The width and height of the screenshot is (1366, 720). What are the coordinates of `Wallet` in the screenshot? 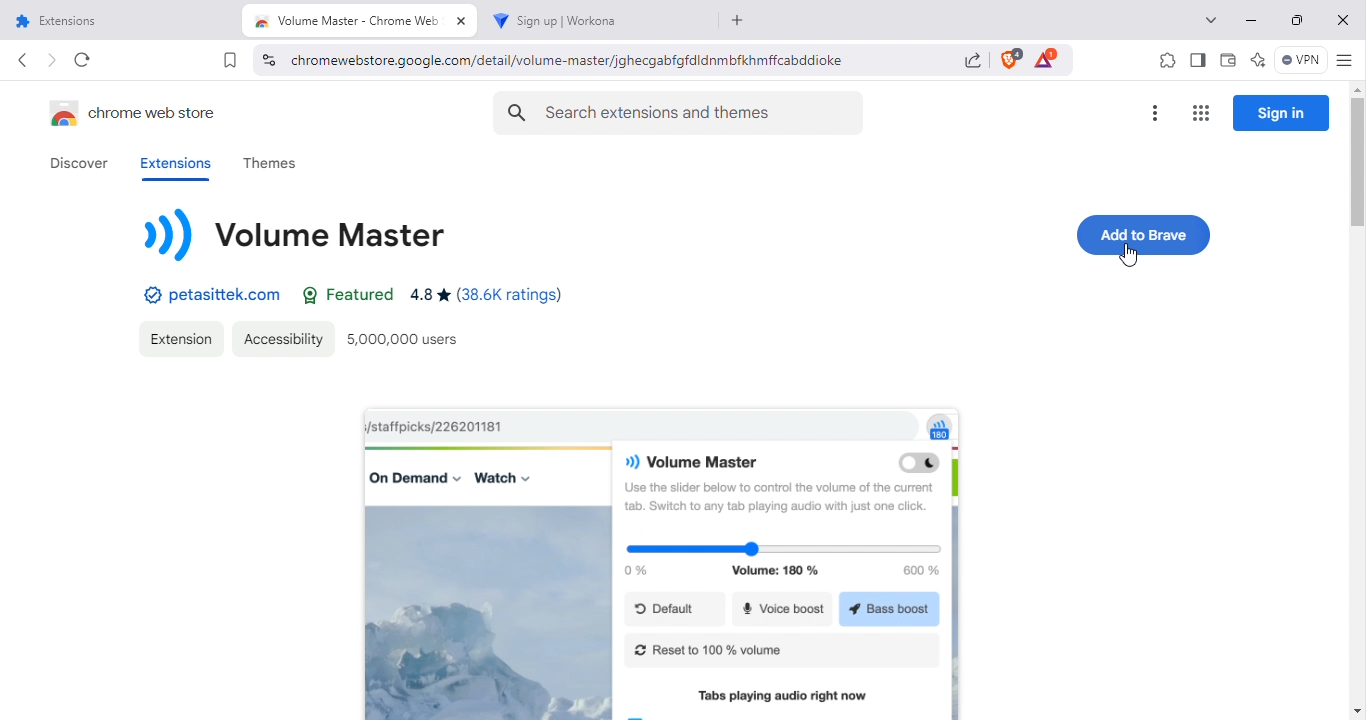 It's located at (1227, 61).